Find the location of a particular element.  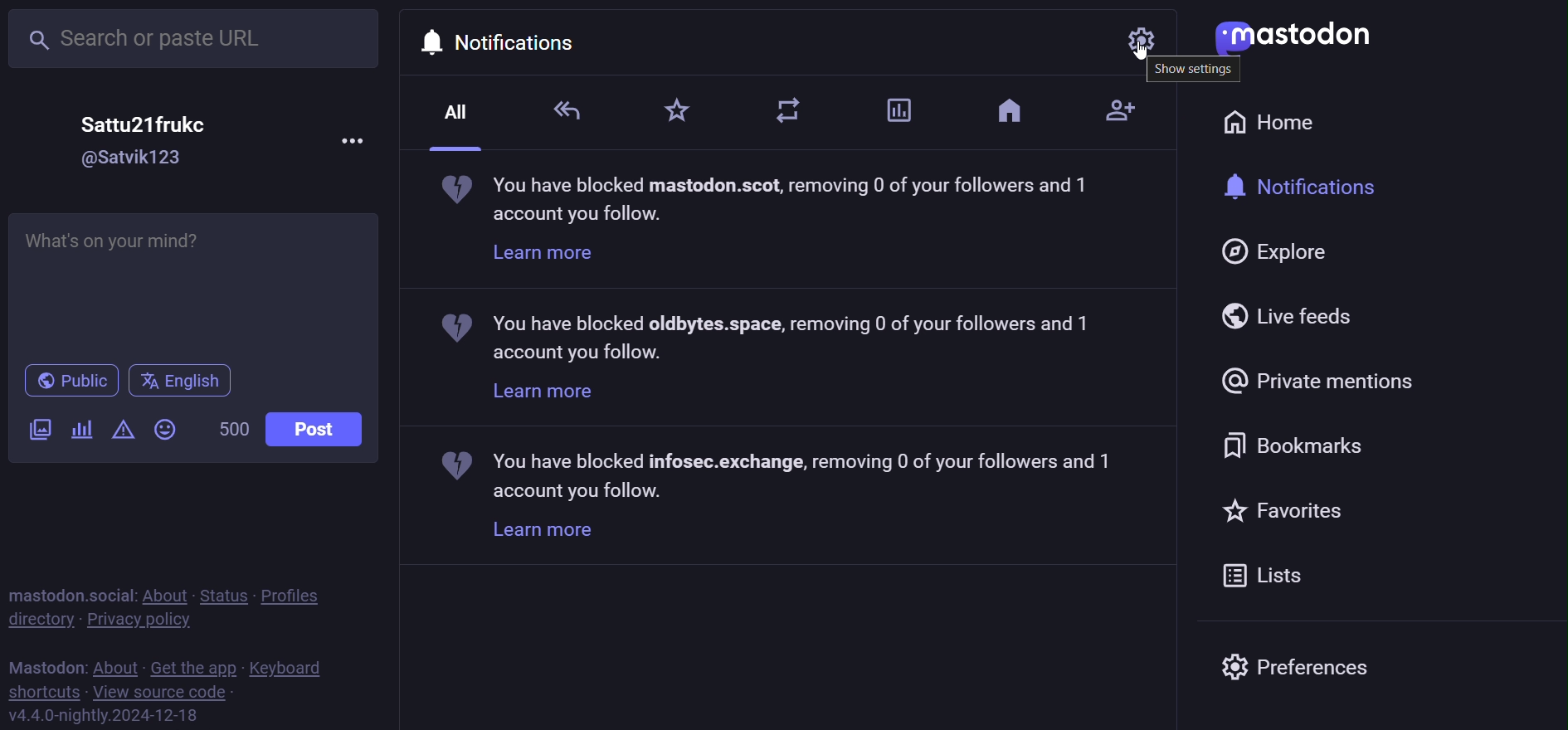

shortcut is located at coordinates (42, 691).